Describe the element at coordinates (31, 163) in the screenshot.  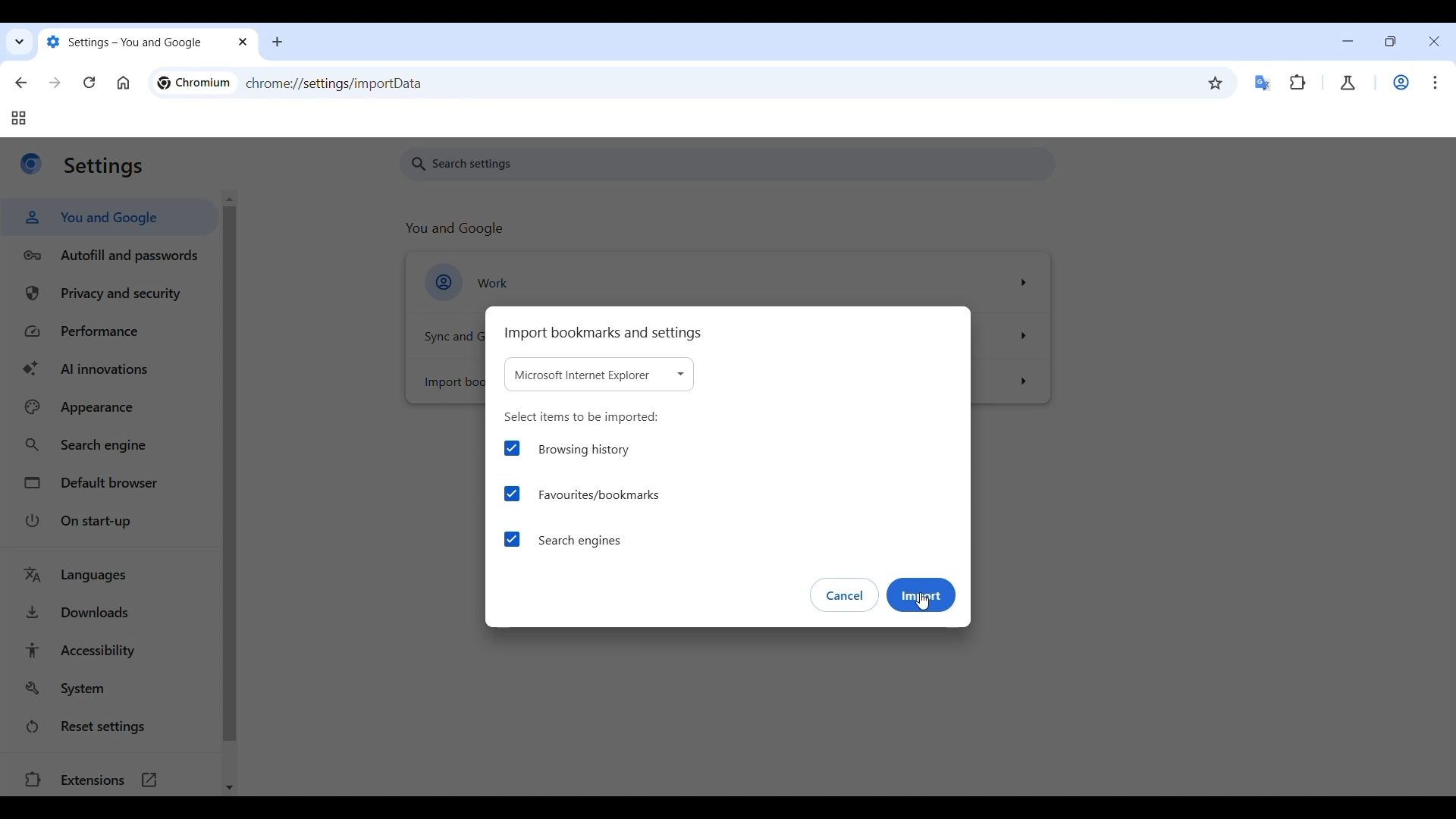
I see `Logo of current site` at that location.